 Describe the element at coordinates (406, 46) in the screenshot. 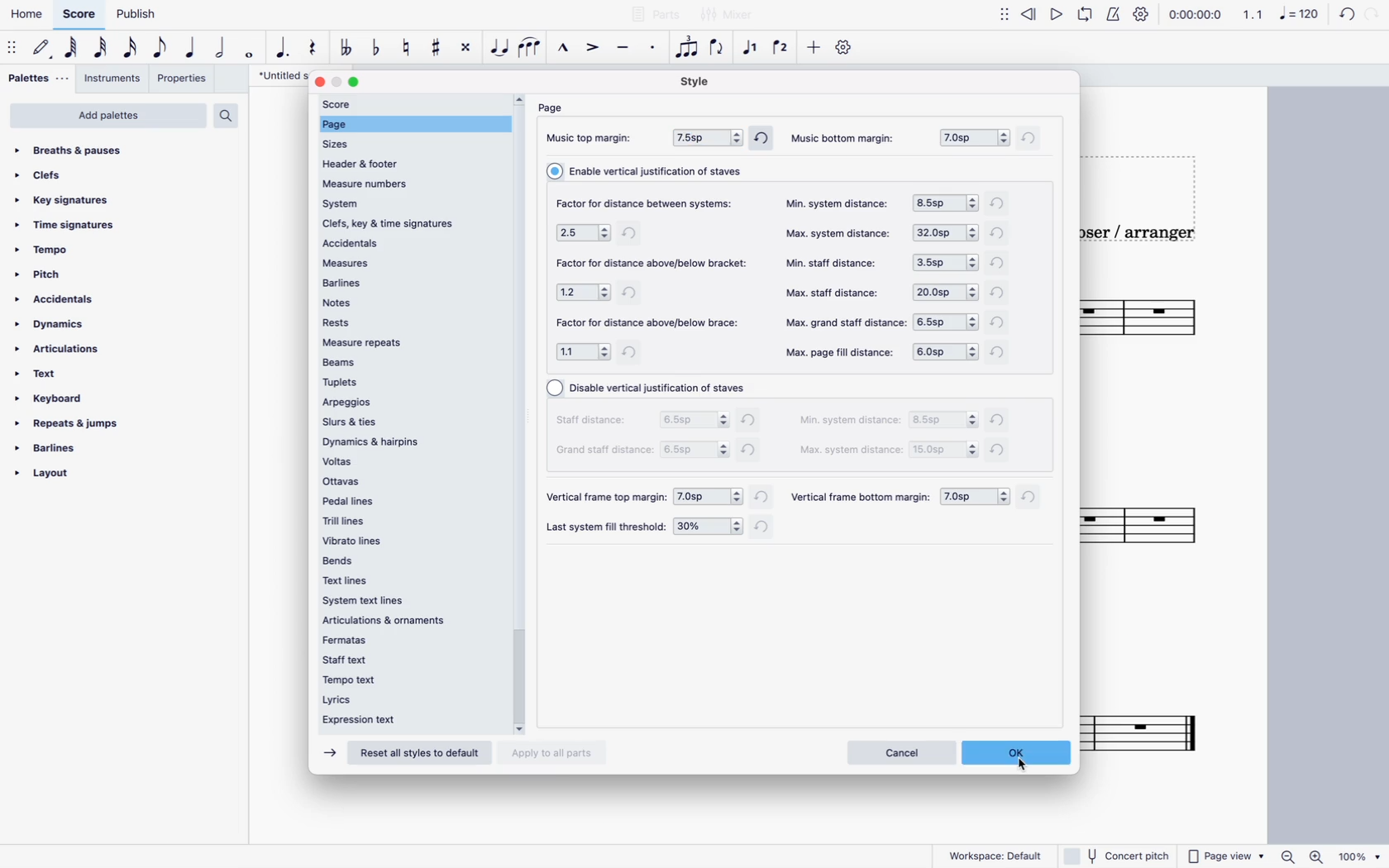

I see `toggle natural` at that location.